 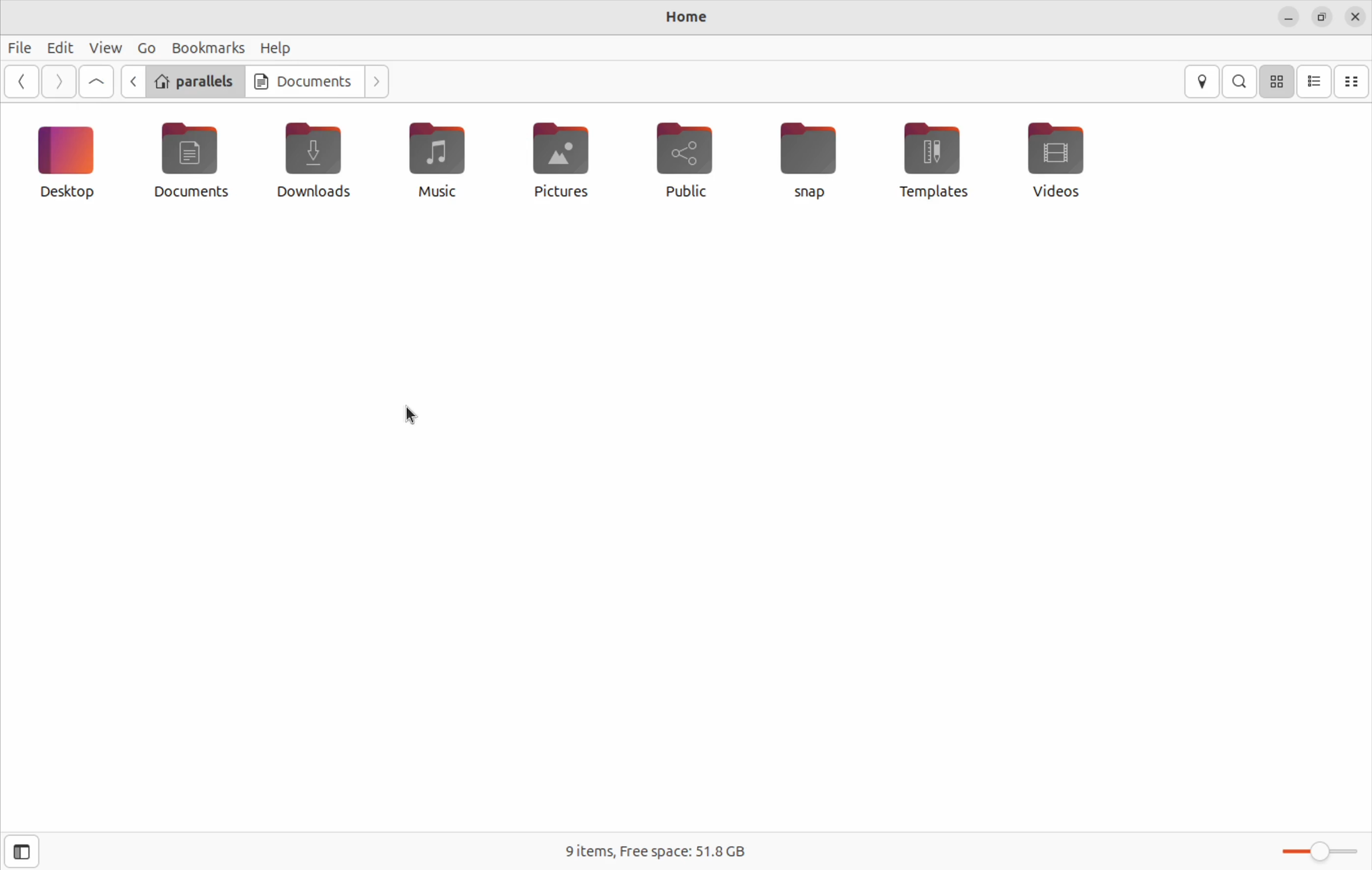 What do you see at coordinates (132, 82) in the screenshot?
I see `go back` at bounding box center [132, 82].